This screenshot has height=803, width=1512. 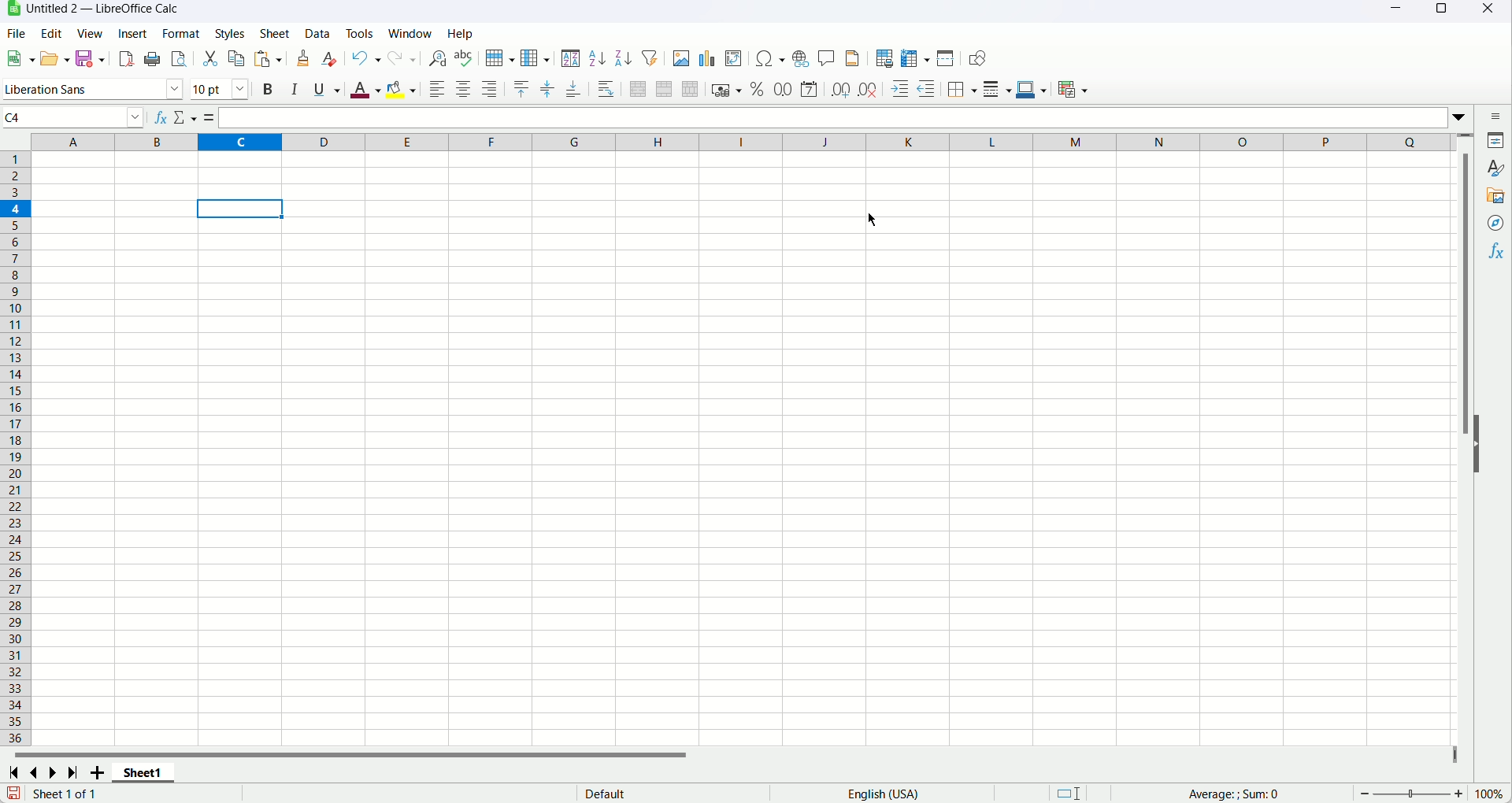 What do you see at coordinates (883, 793) in the screenshot?
I see `Text language` at bounding box center [883, 793].